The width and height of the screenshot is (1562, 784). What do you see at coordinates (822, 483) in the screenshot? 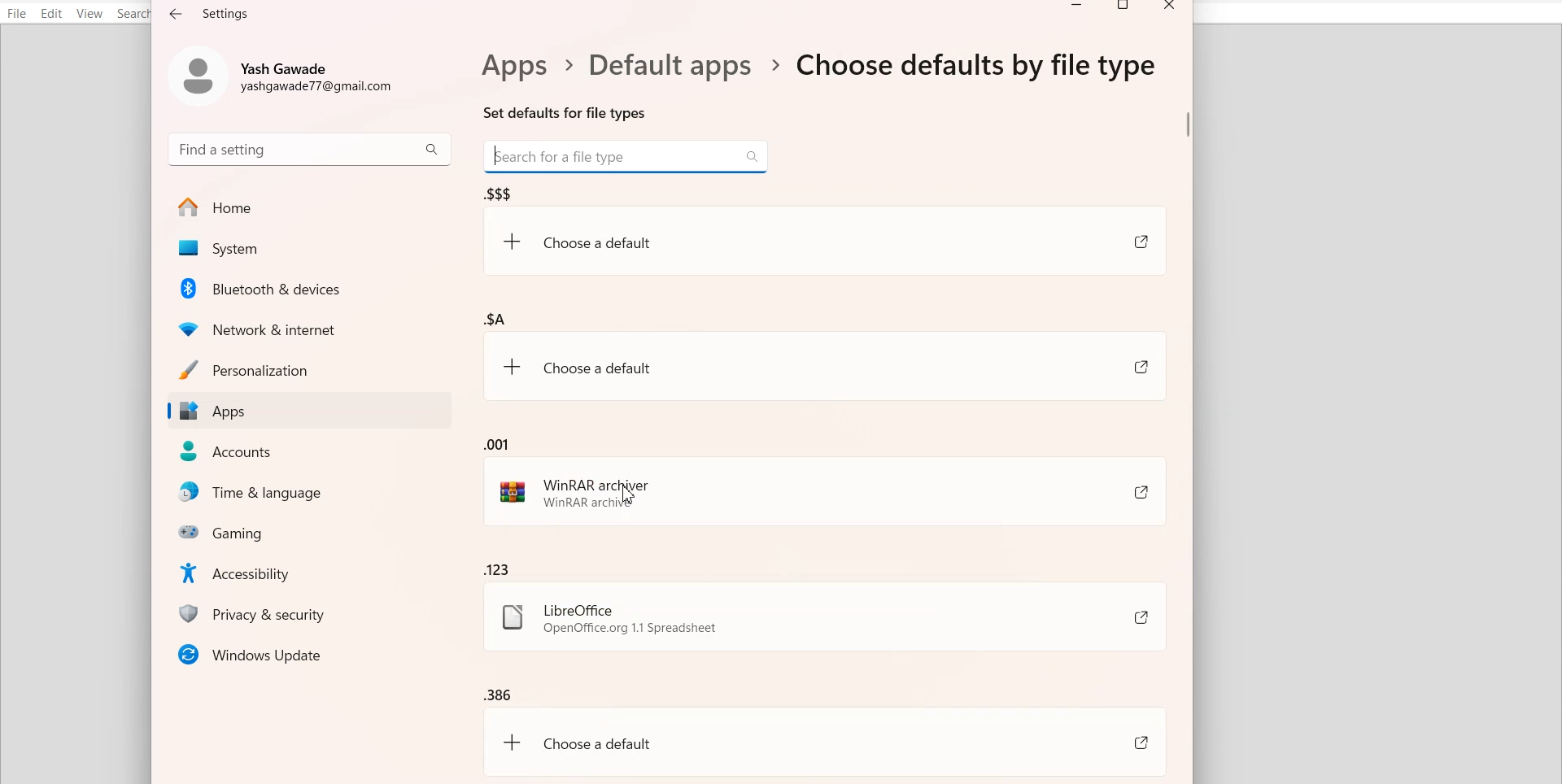
I see `.001` at bounding box center [822, 483].